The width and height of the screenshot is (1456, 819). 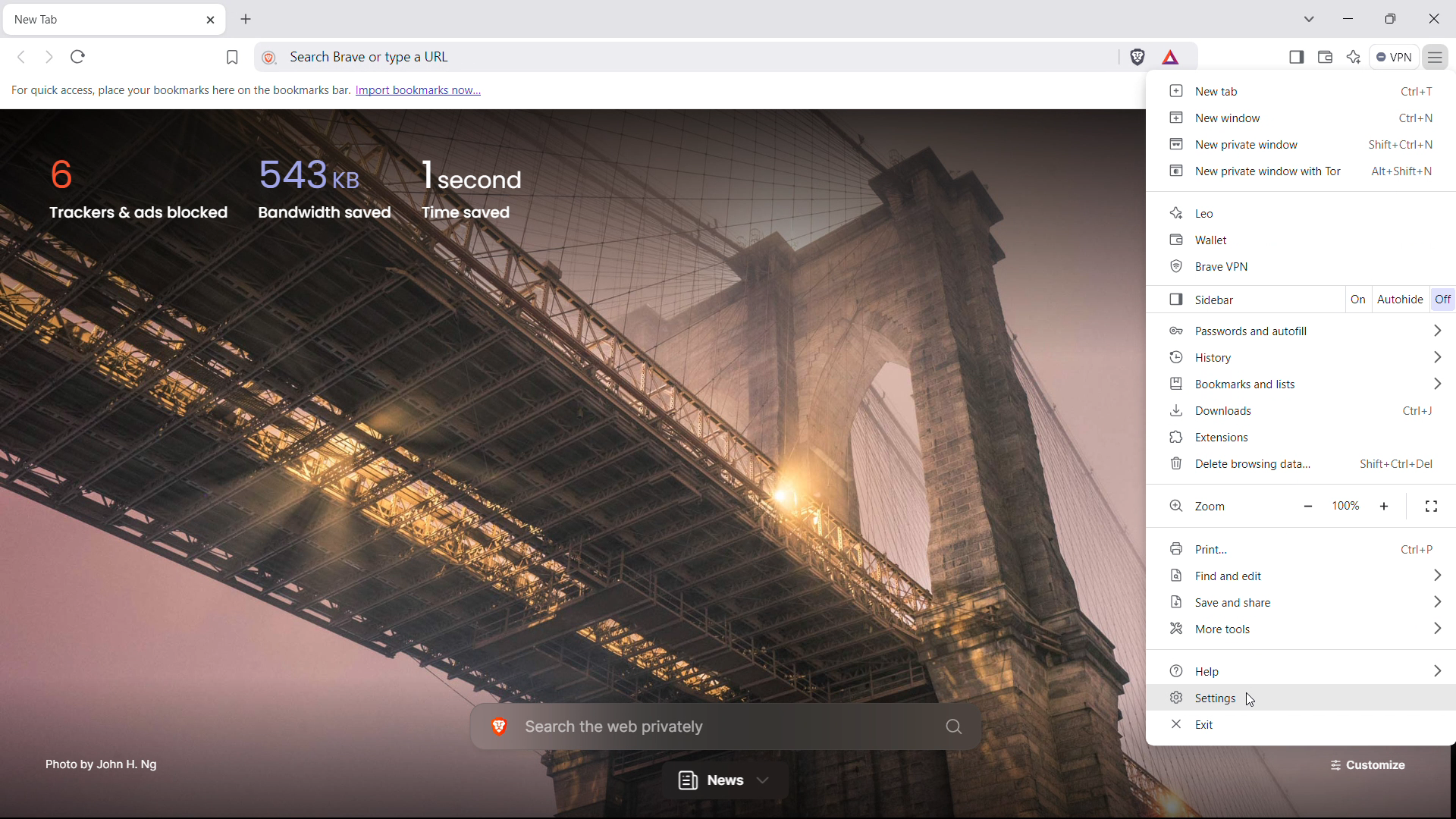 I want to click on background, so click(x=581, y=475).